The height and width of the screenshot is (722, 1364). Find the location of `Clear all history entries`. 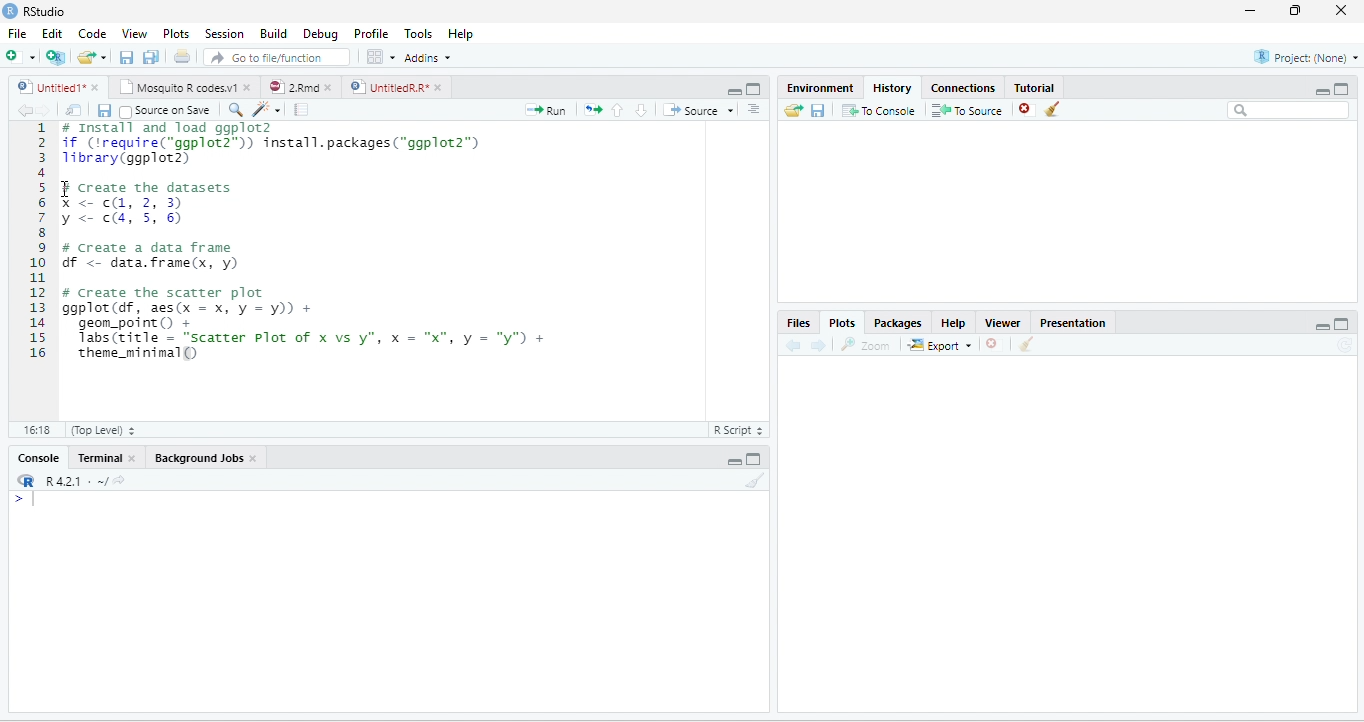

Clear all history entries is located at coordinates (1053, 109).